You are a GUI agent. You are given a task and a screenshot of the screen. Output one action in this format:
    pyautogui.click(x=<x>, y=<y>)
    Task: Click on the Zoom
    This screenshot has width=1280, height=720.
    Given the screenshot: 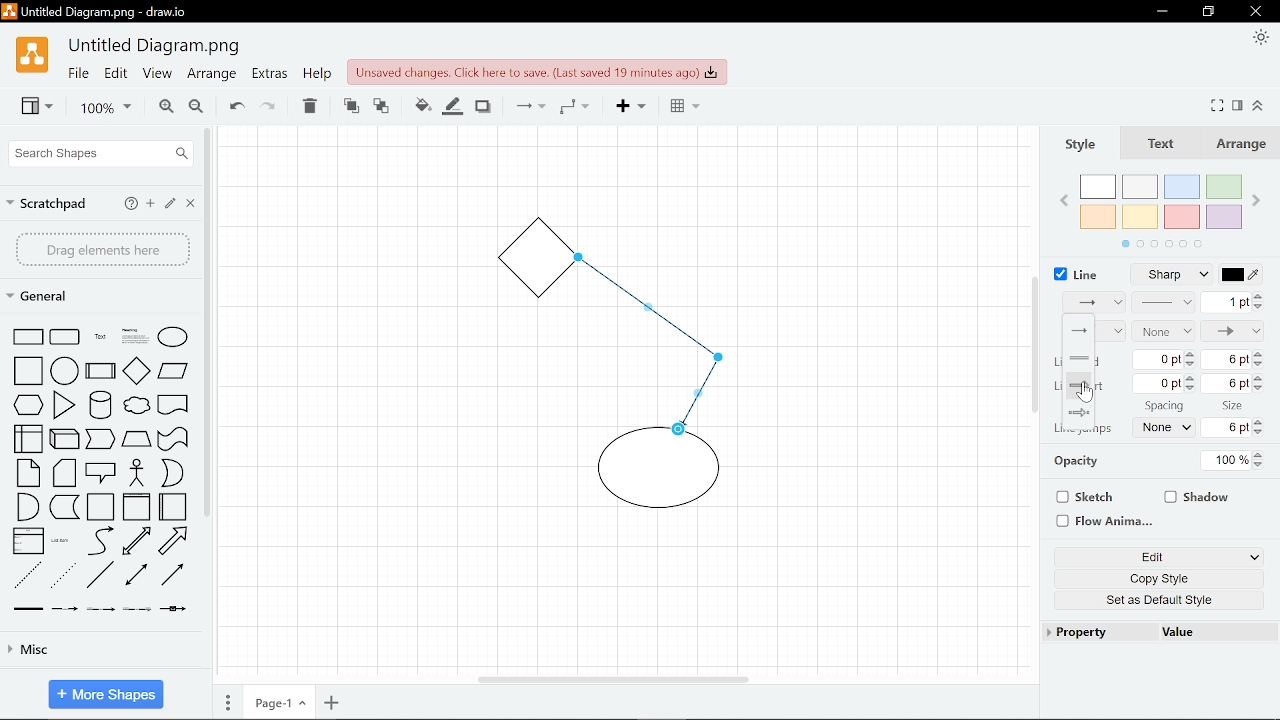 What is the action you would take?
    pyautogui.click(x=98, y=108)
    